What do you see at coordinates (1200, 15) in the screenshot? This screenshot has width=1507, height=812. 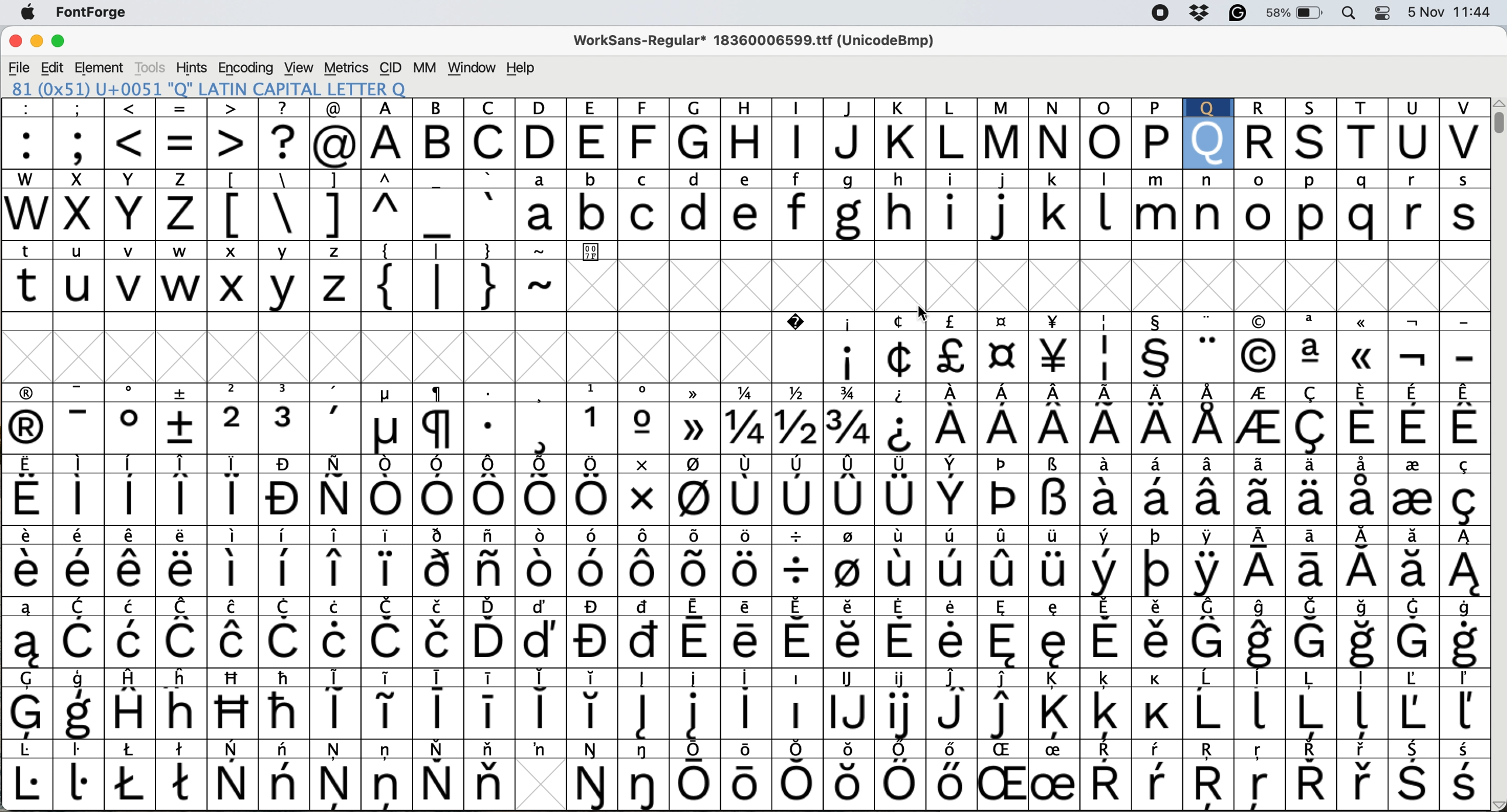 I see `dropbox` at bounding box center [1200, 15].